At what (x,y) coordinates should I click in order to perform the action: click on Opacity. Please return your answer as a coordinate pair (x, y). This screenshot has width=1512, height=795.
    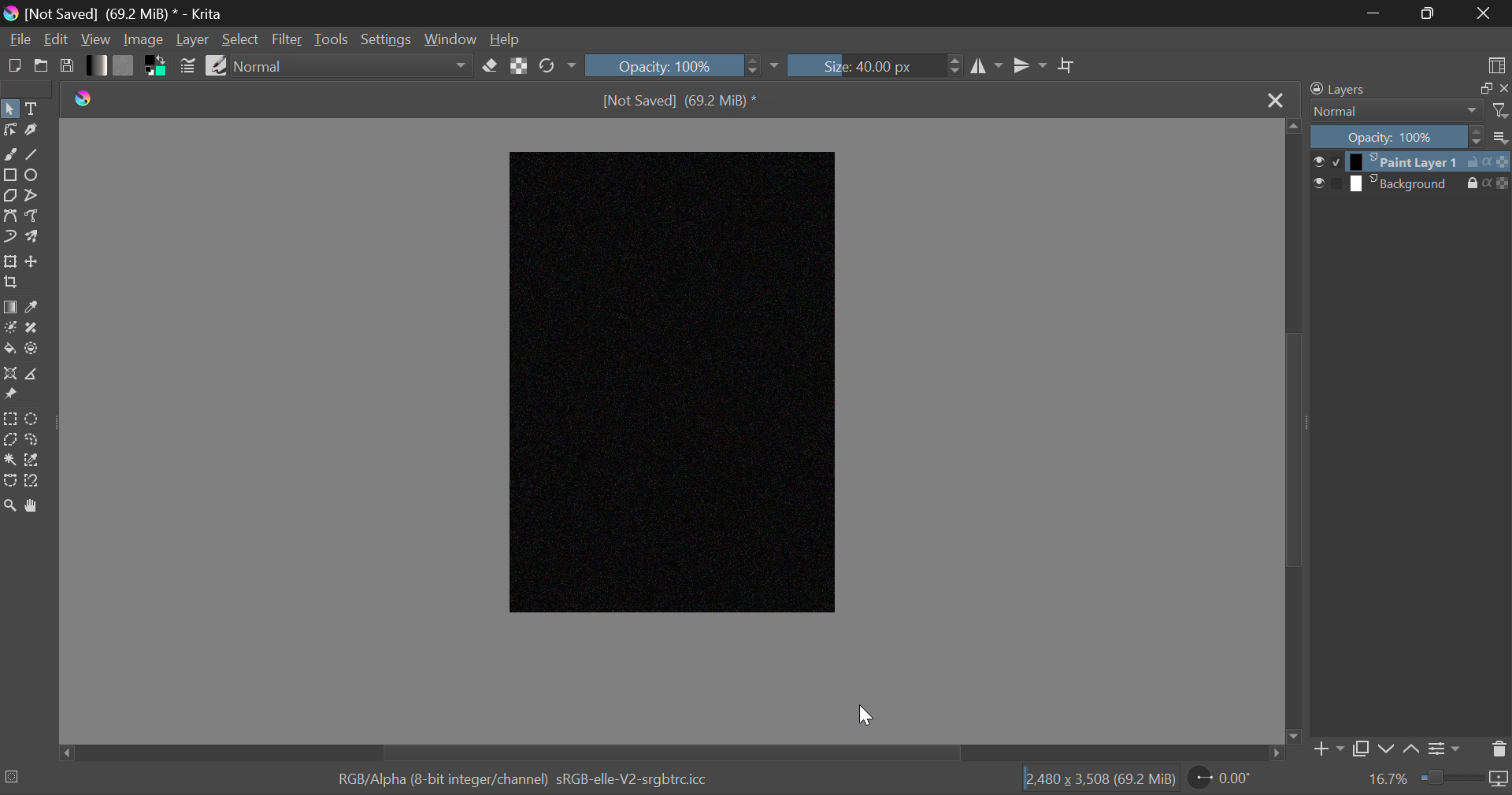
    Looking at the image, I should click on (682, 64).